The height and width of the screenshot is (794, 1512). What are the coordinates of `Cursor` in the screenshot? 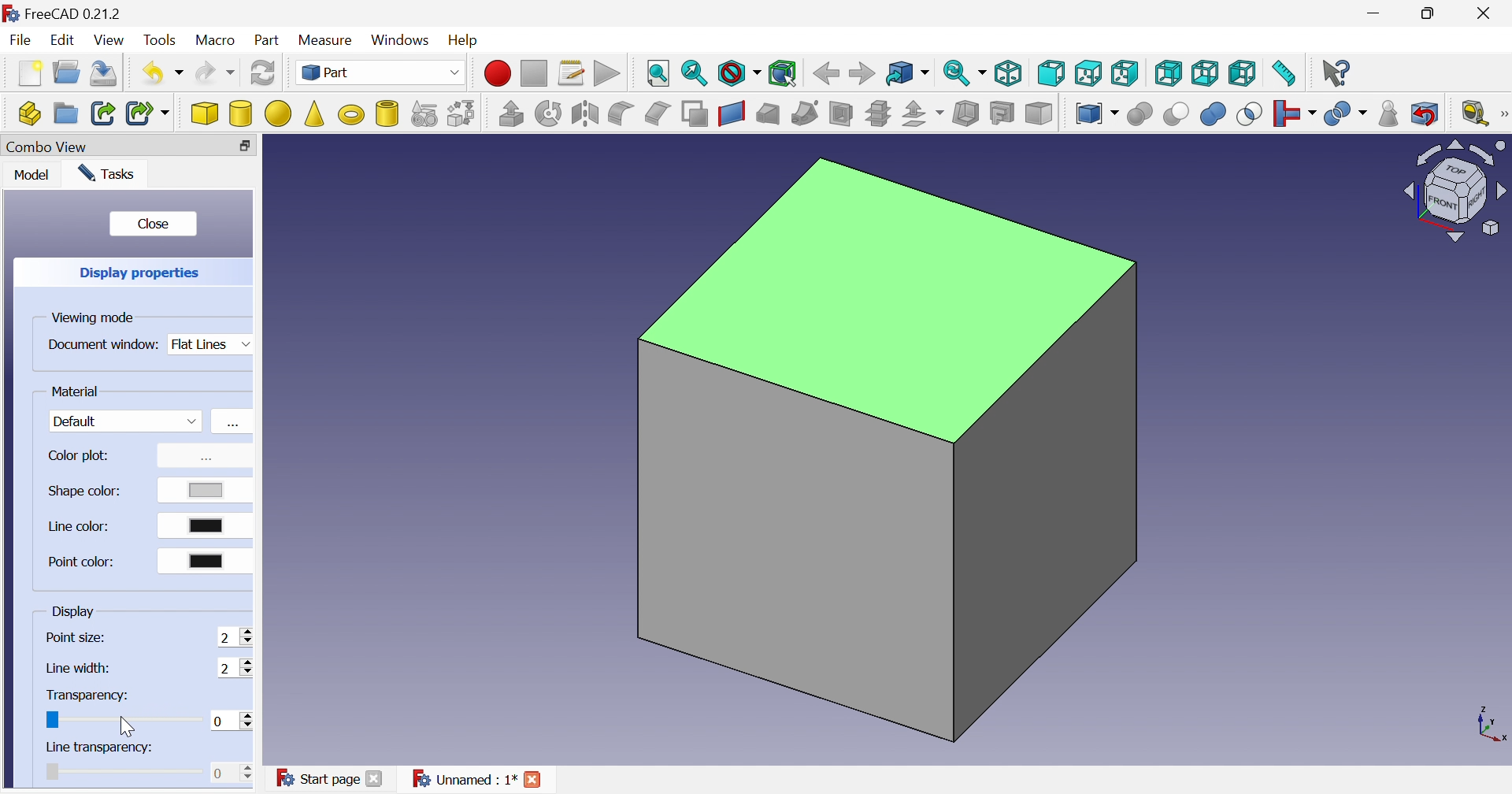 It's located at (124, 725).